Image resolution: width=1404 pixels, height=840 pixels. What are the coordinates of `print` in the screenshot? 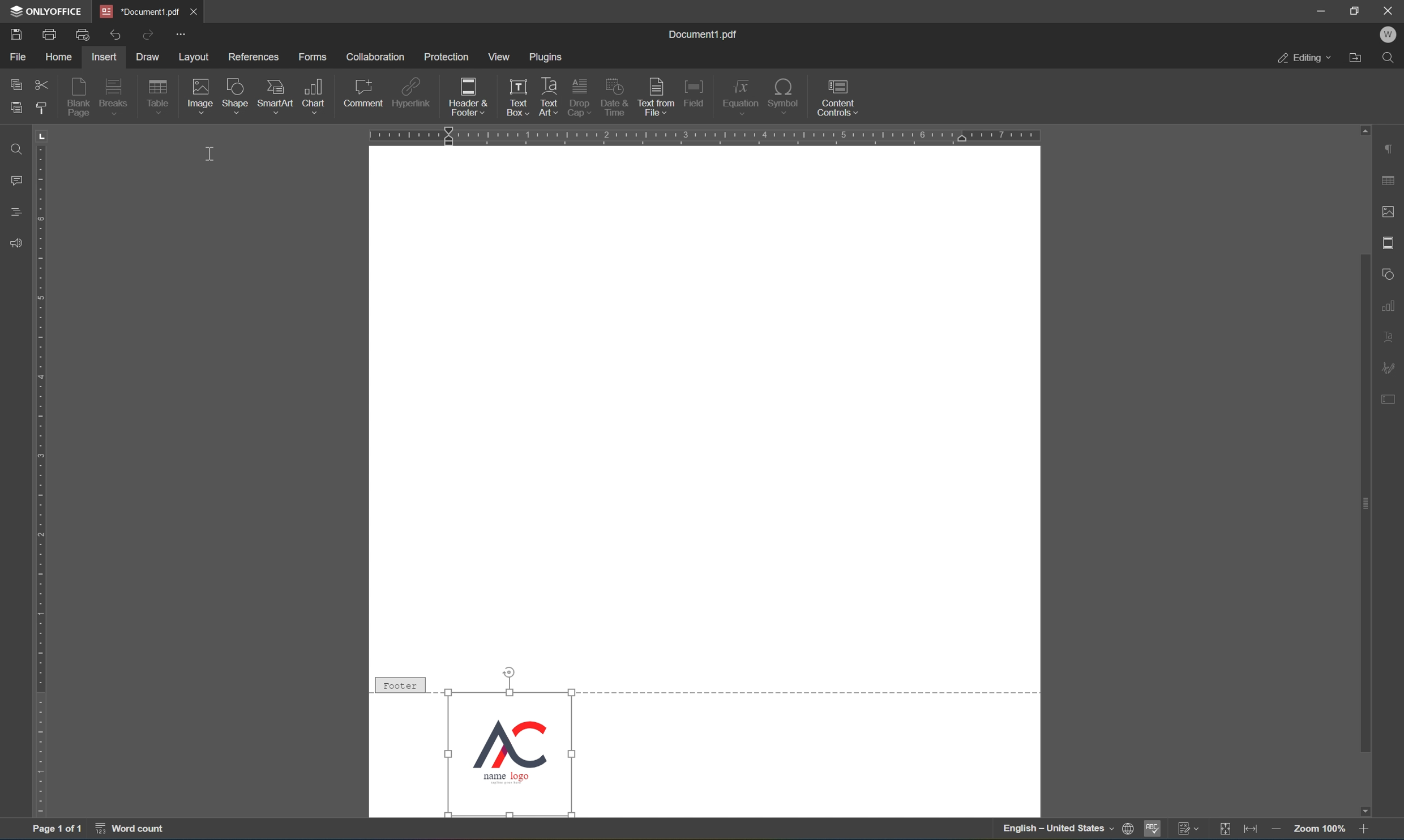 It's located at (46, 35).